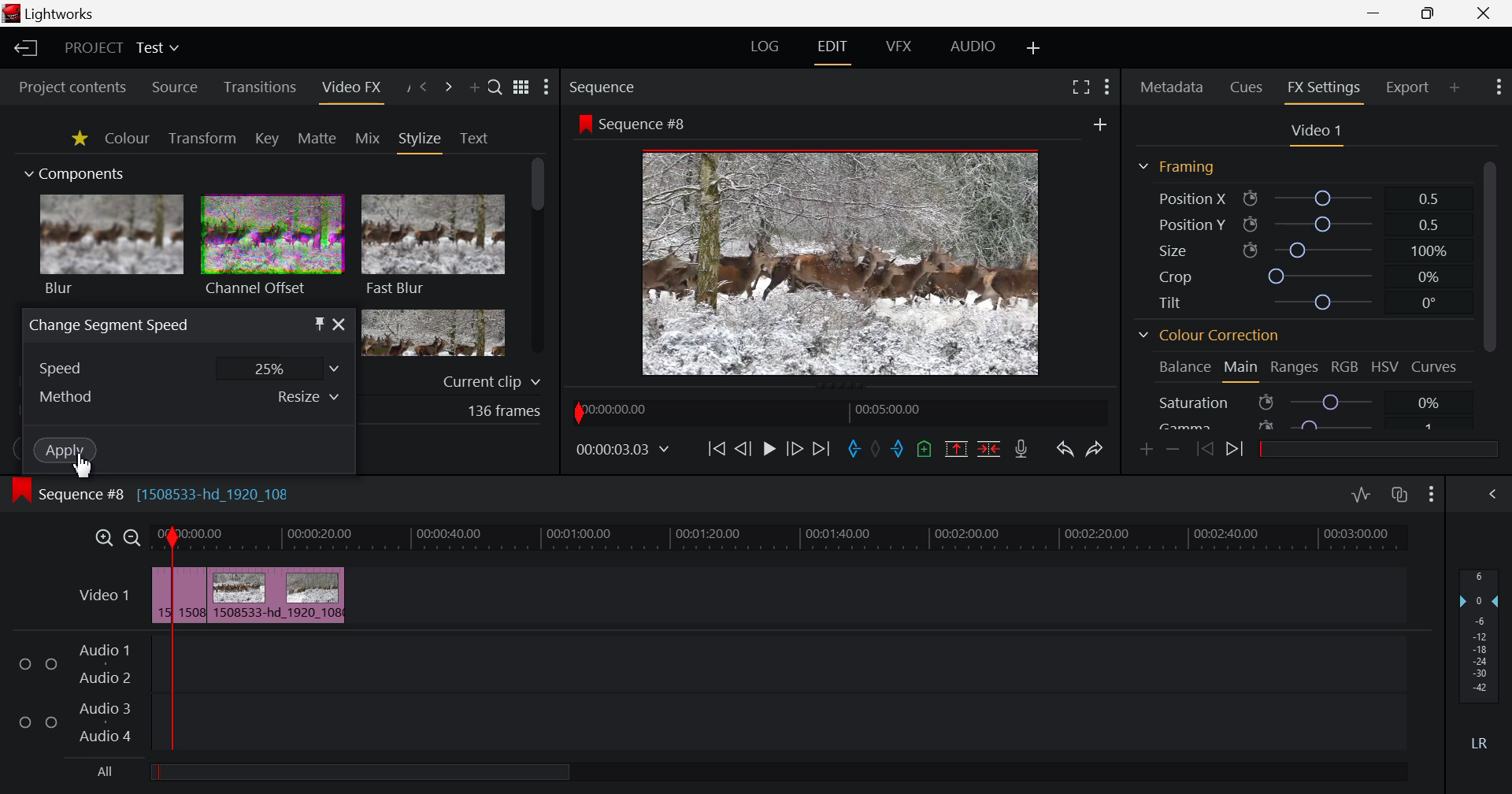 Image resolution: width=1512 pixels, height=794 pixels. What do you see at coordinates (742, 447) in the screenshot?
I see `Go Back` at bounding box center [742, 447].